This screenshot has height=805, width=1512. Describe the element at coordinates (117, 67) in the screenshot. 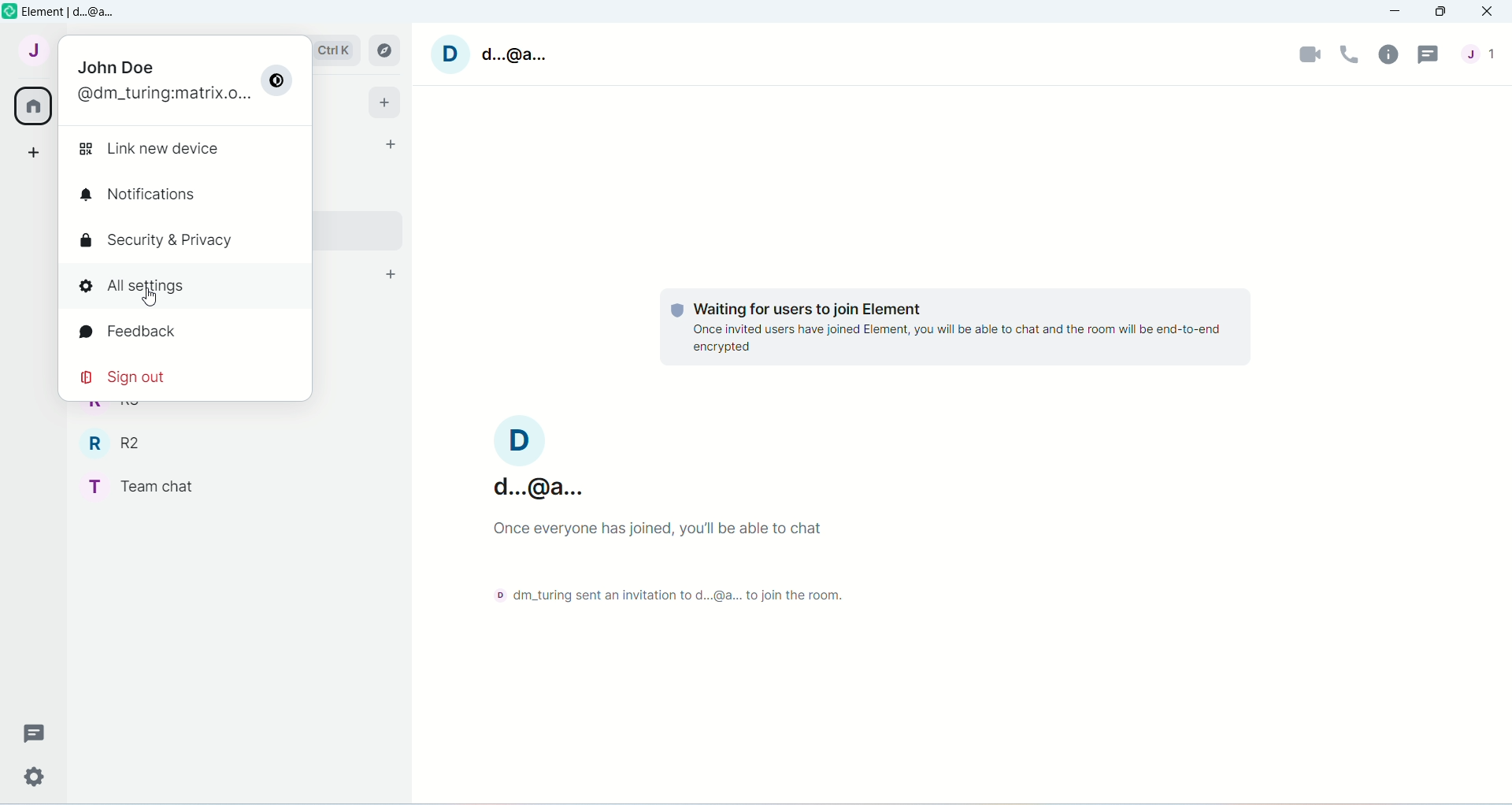

I see `Display Name-john doe` at that location.